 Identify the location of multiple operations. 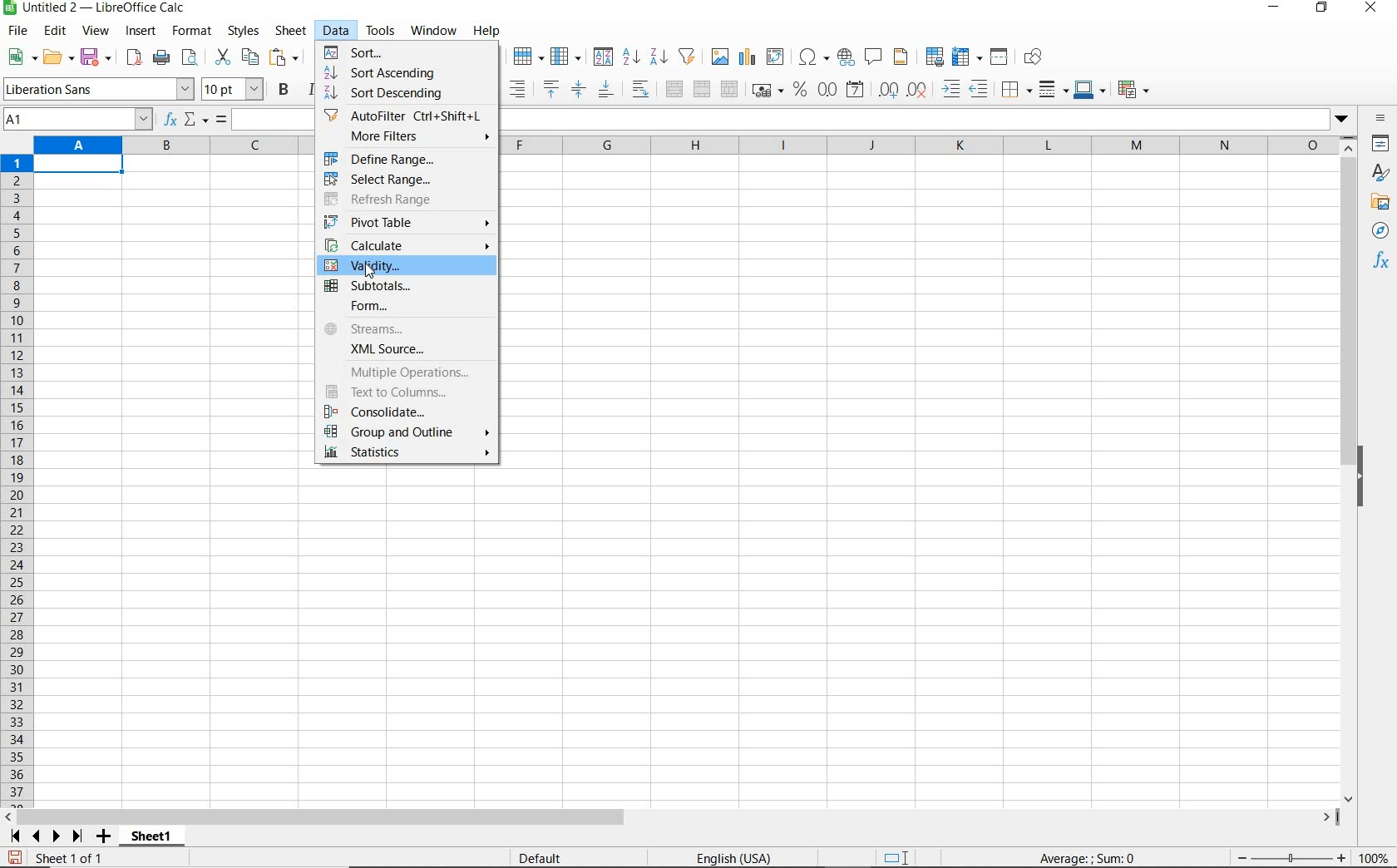
(407, 374).